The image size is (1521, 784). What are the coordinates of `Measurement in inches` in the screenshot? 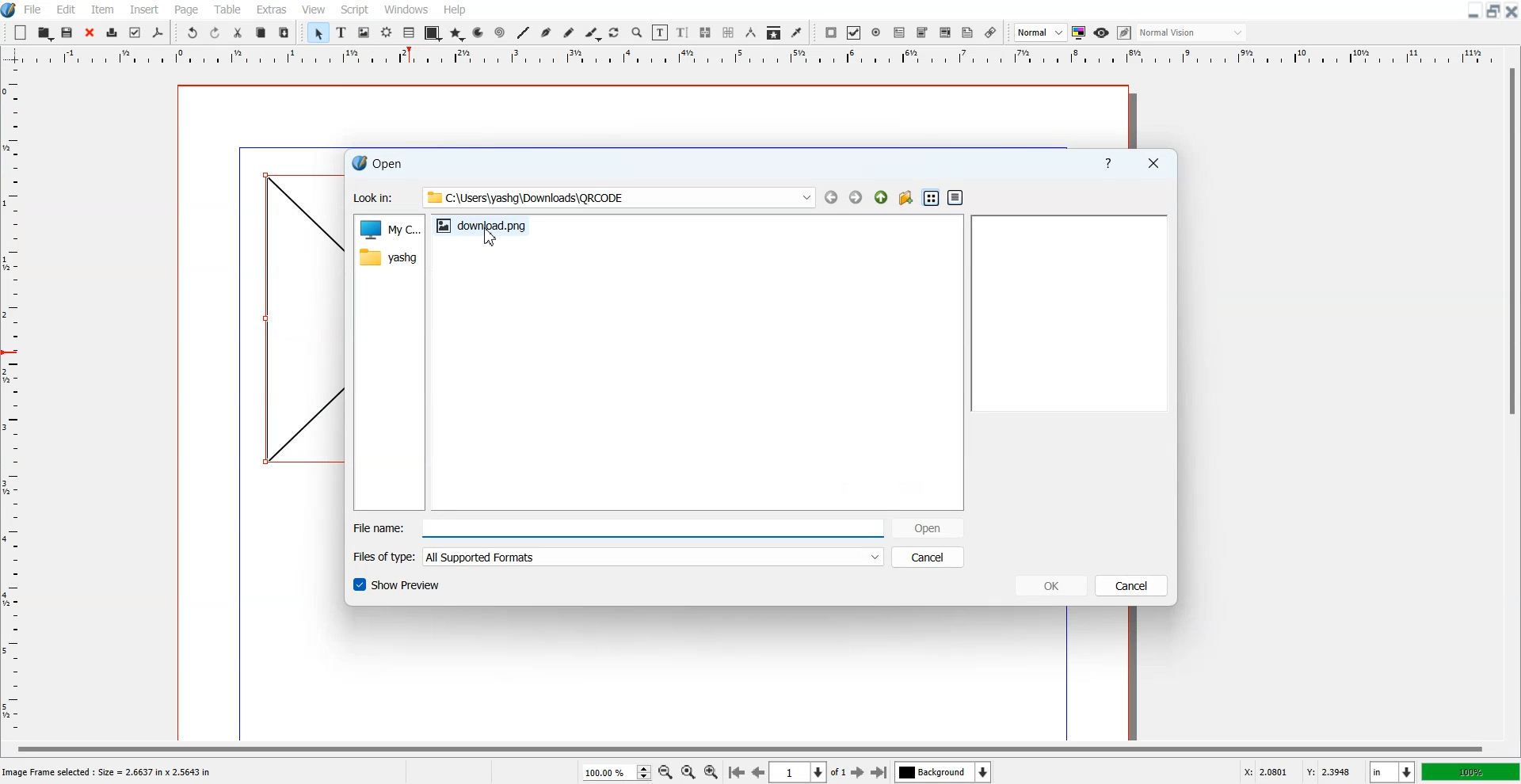 It's located at (1393, 771).